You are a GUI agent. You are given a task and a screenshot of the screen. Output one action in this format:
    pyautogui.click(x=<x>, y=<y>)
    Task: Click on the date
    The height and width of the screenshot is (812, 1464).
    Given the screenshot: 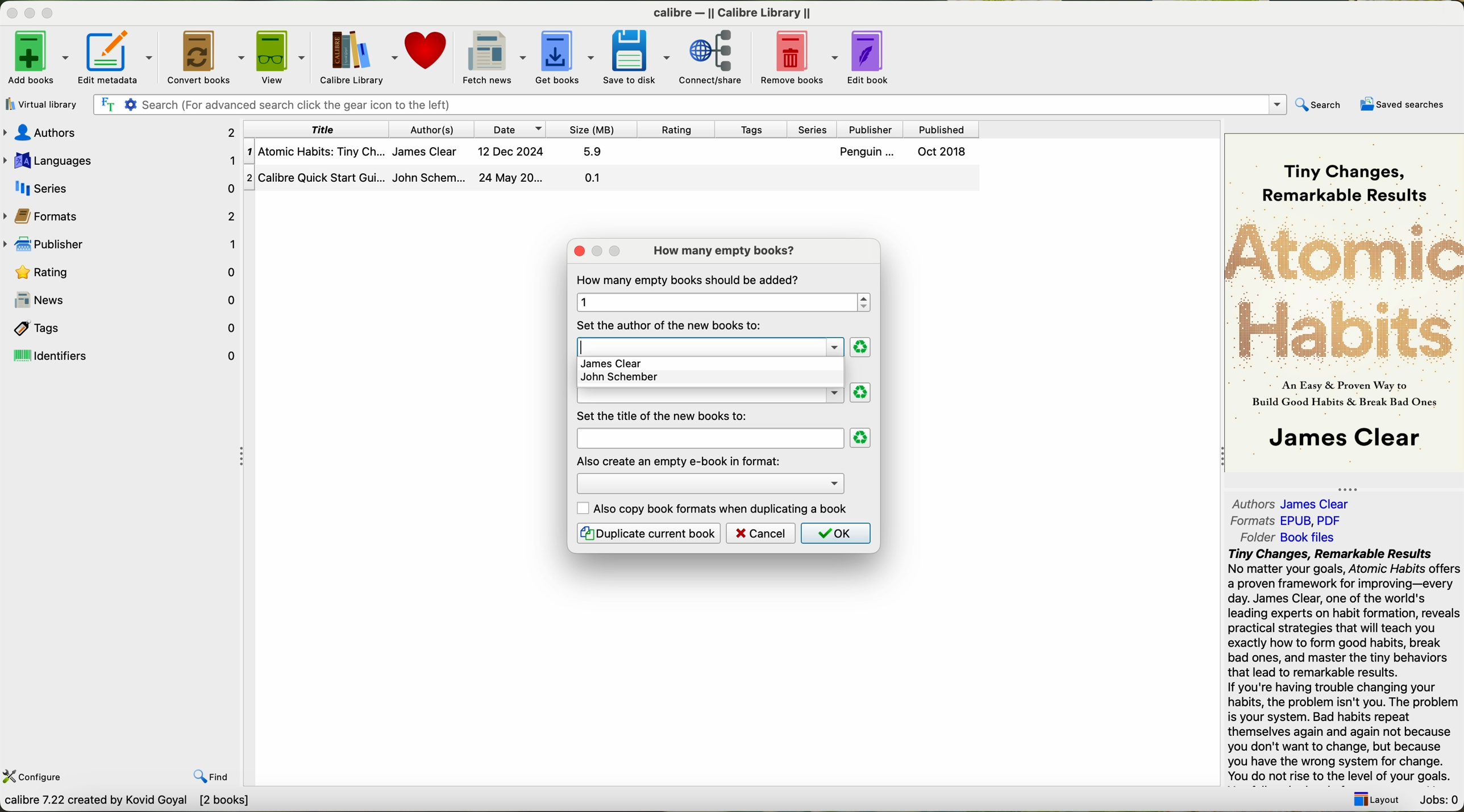 What is the action you would take?
    pyautogui.click(x=512, y=129)
    